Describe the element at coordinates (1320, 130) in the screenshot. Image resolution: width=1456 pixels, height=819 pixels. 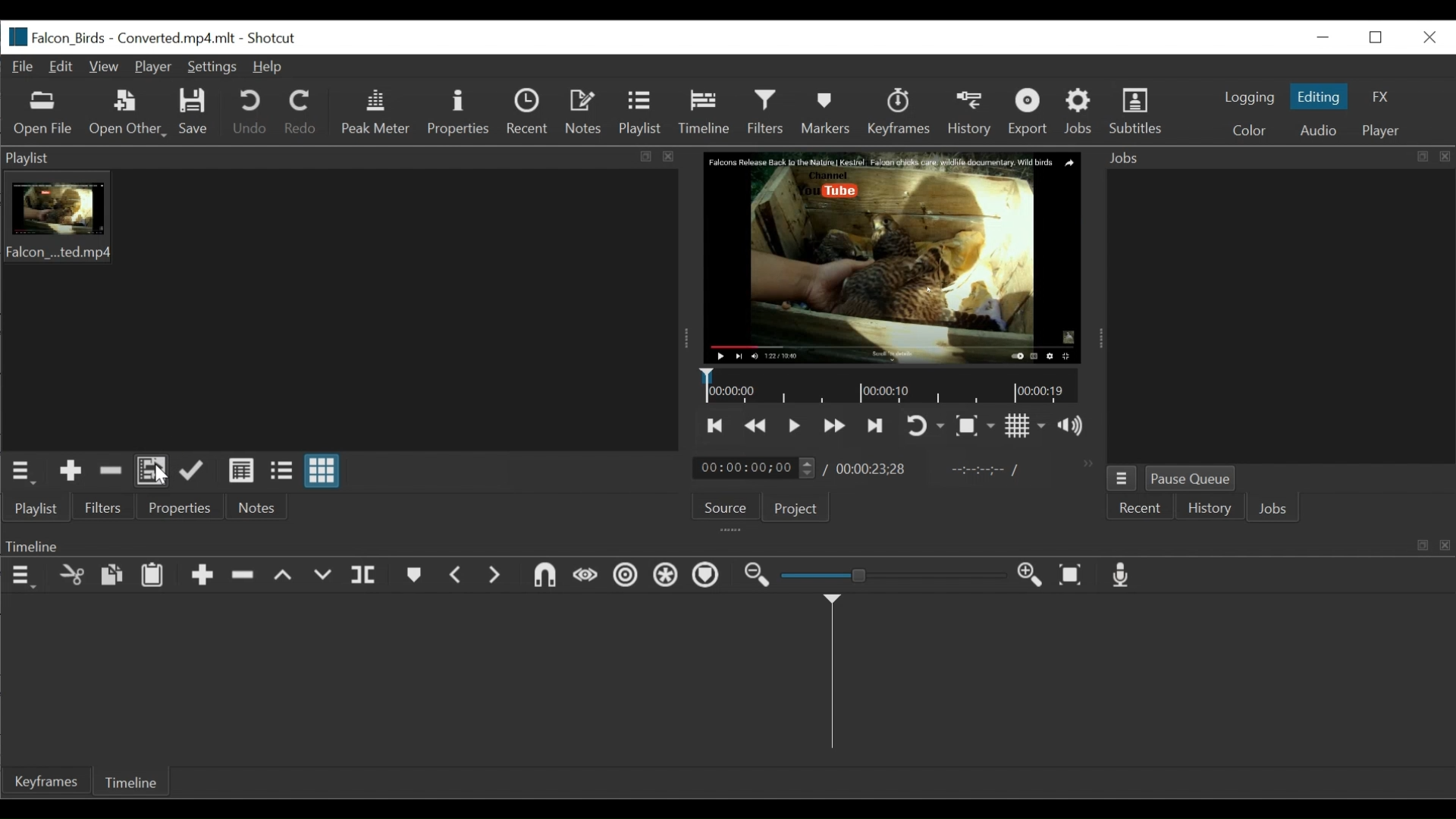
I see `Audio` at that location.